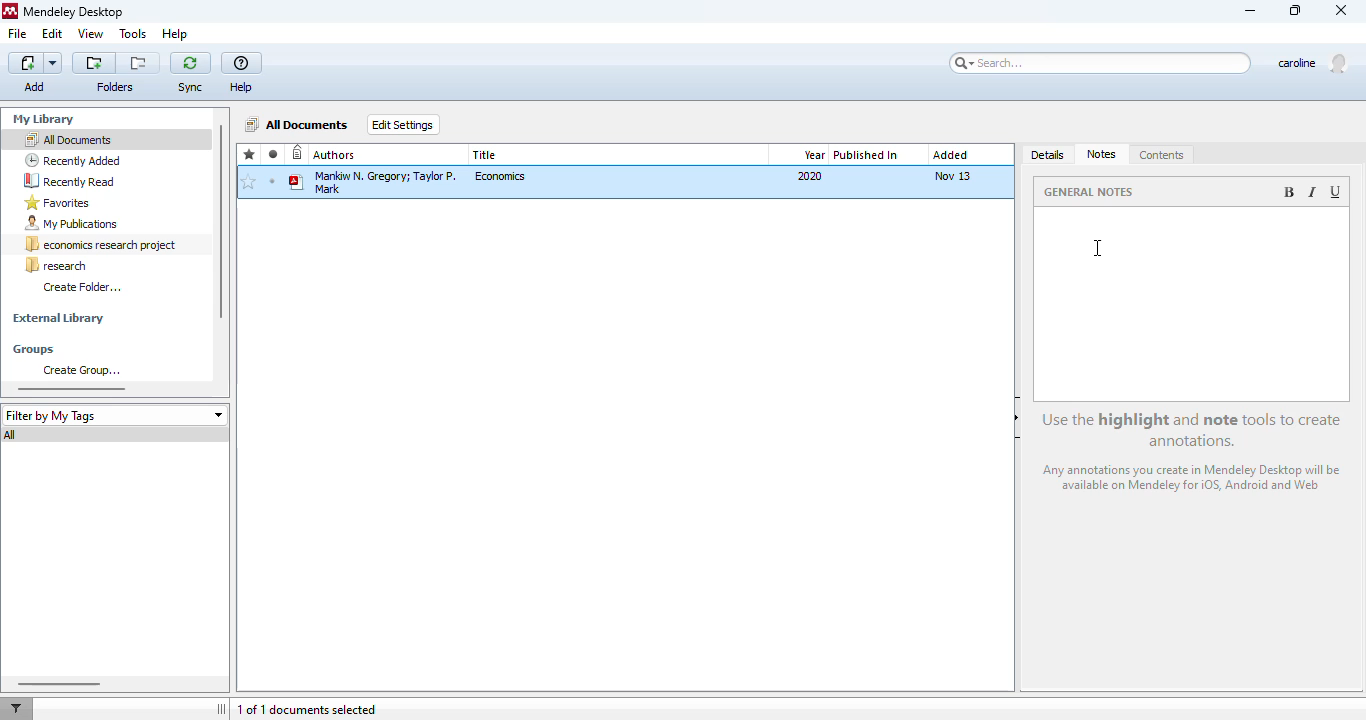 This screenshot has height=720, width=1366. I want to click on tools, so click(133, 35).